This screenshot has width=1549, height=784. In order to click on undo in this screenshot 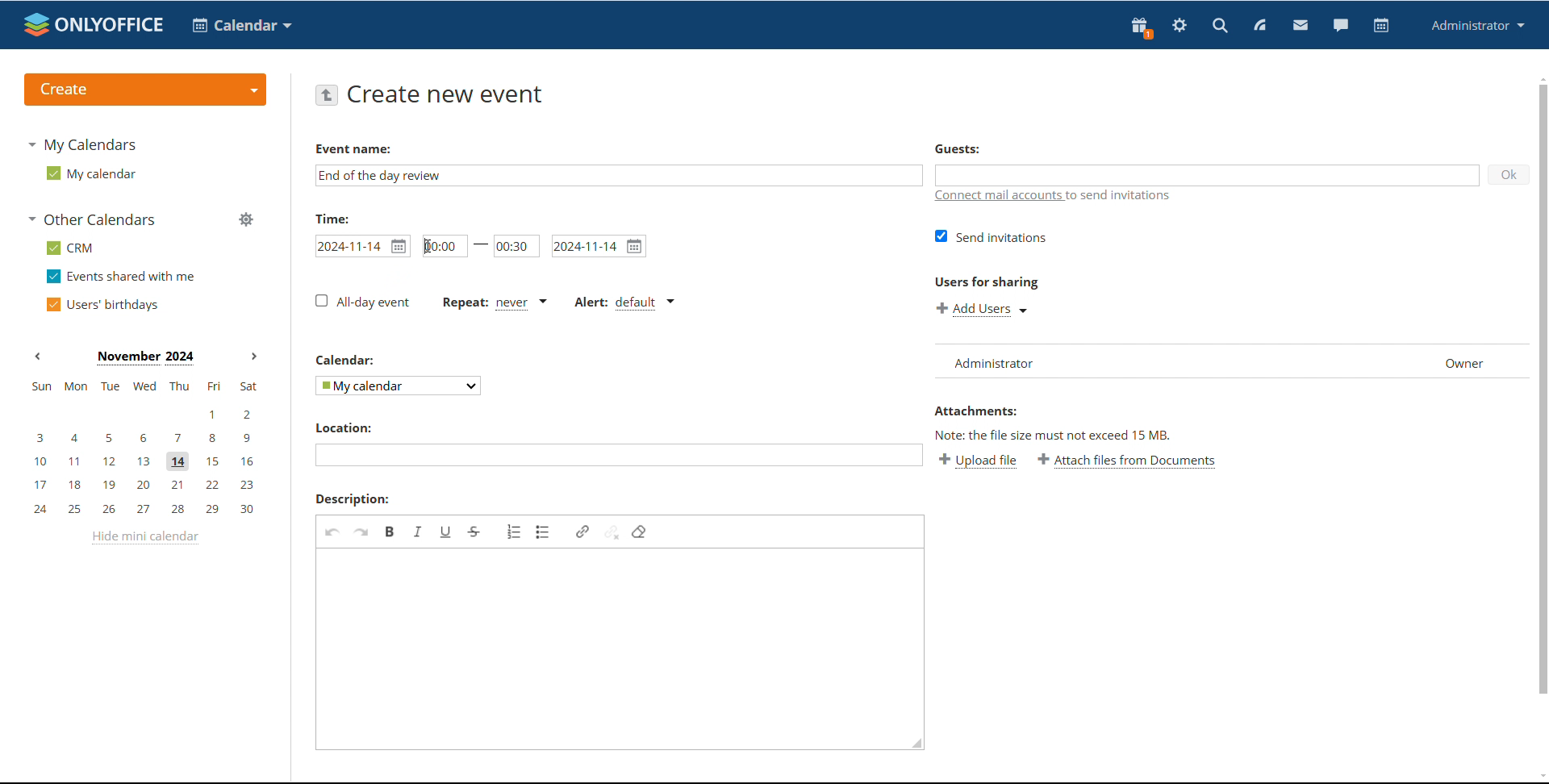, I will do `click(332, 532)`.